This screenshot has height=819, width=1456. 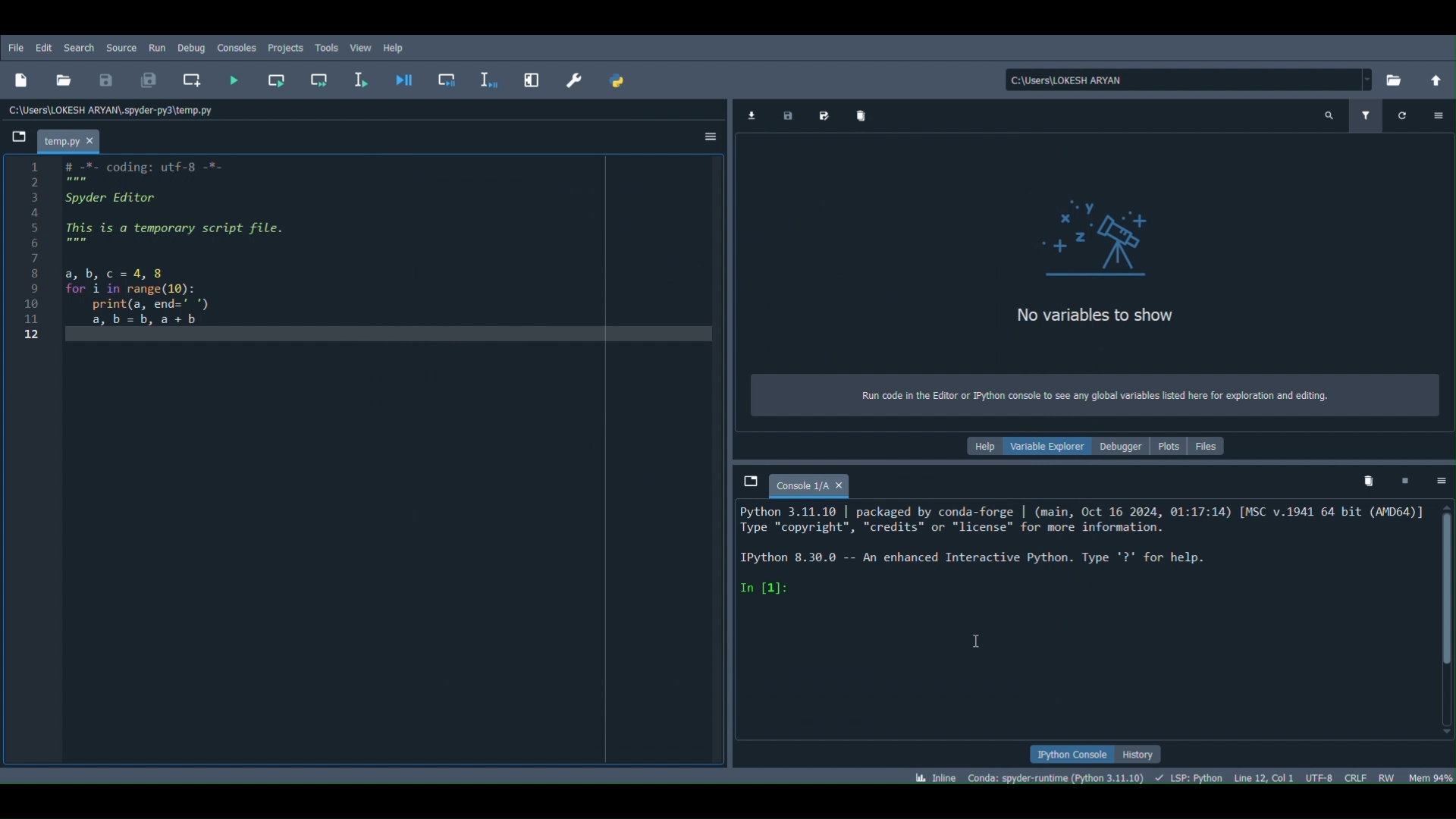 I want to click on Text, so click(x=1091, y=391).